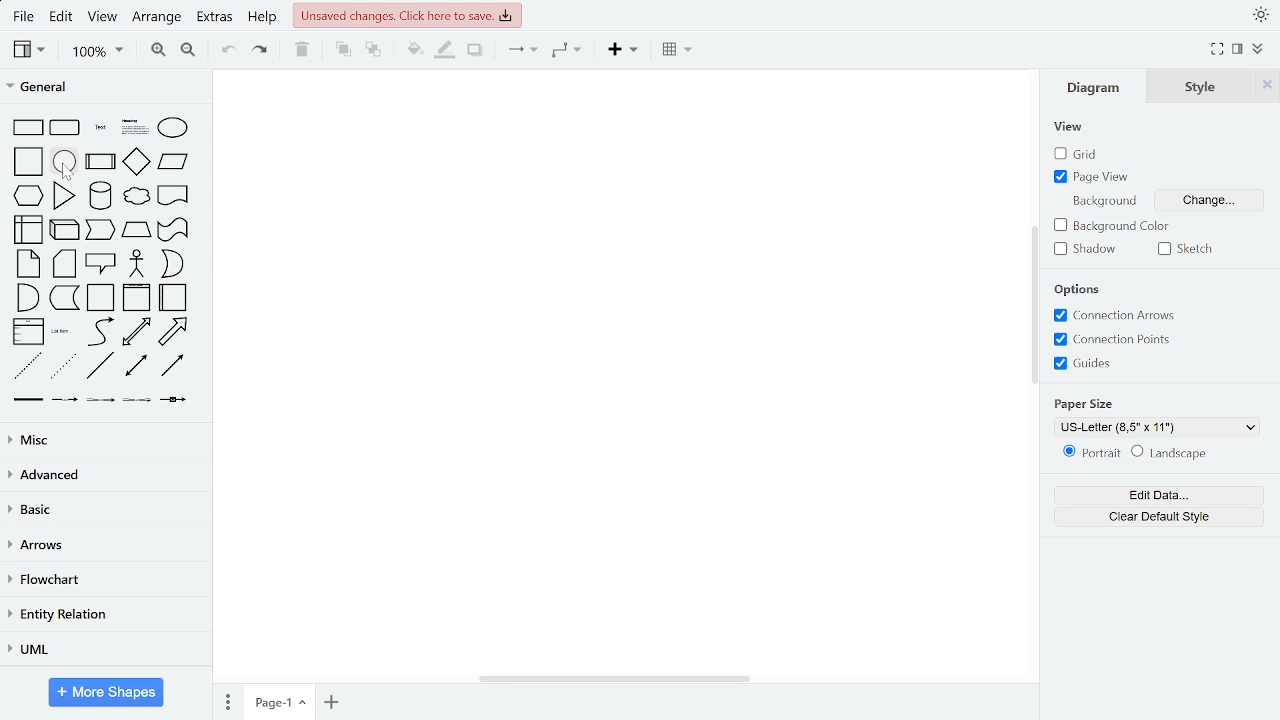  Describe the element at coordinates (101, 264) in the screenshot. I see `callout` at that location.